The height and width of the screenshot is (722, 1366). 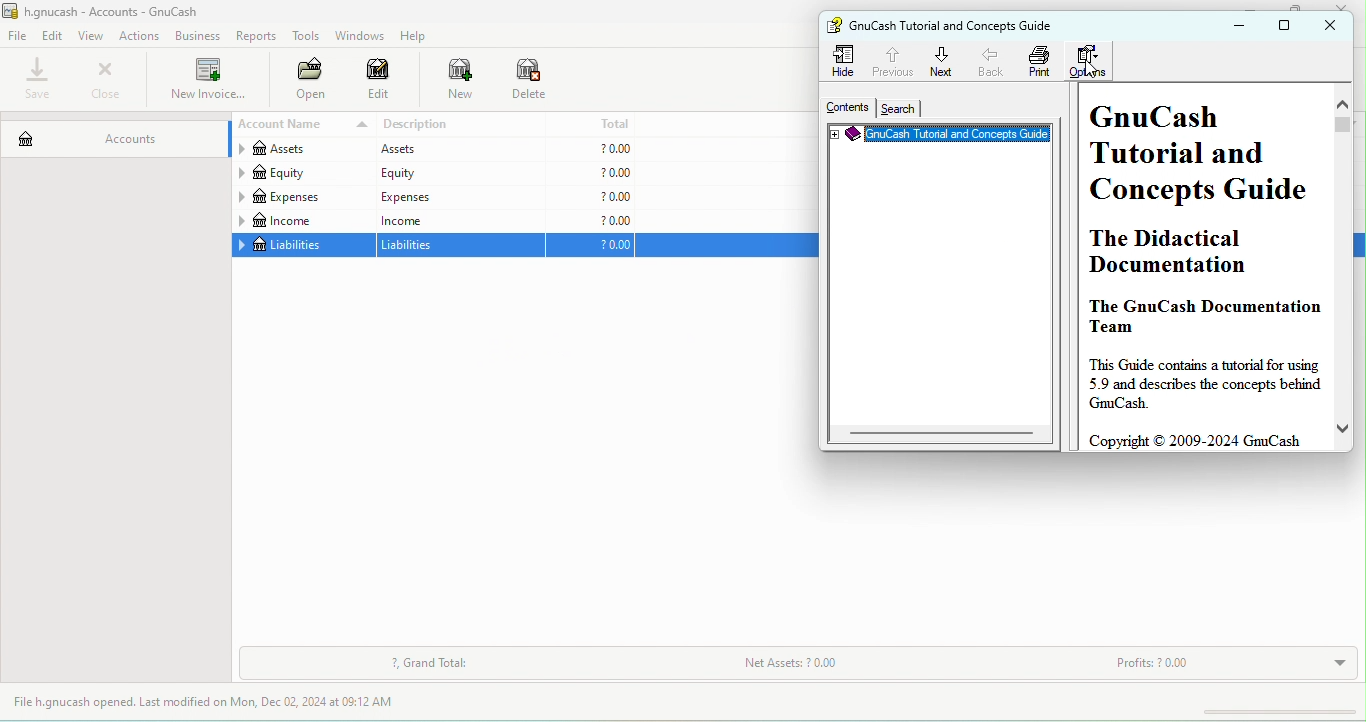 I want to click on bussiness, so click(x=198, y=36).